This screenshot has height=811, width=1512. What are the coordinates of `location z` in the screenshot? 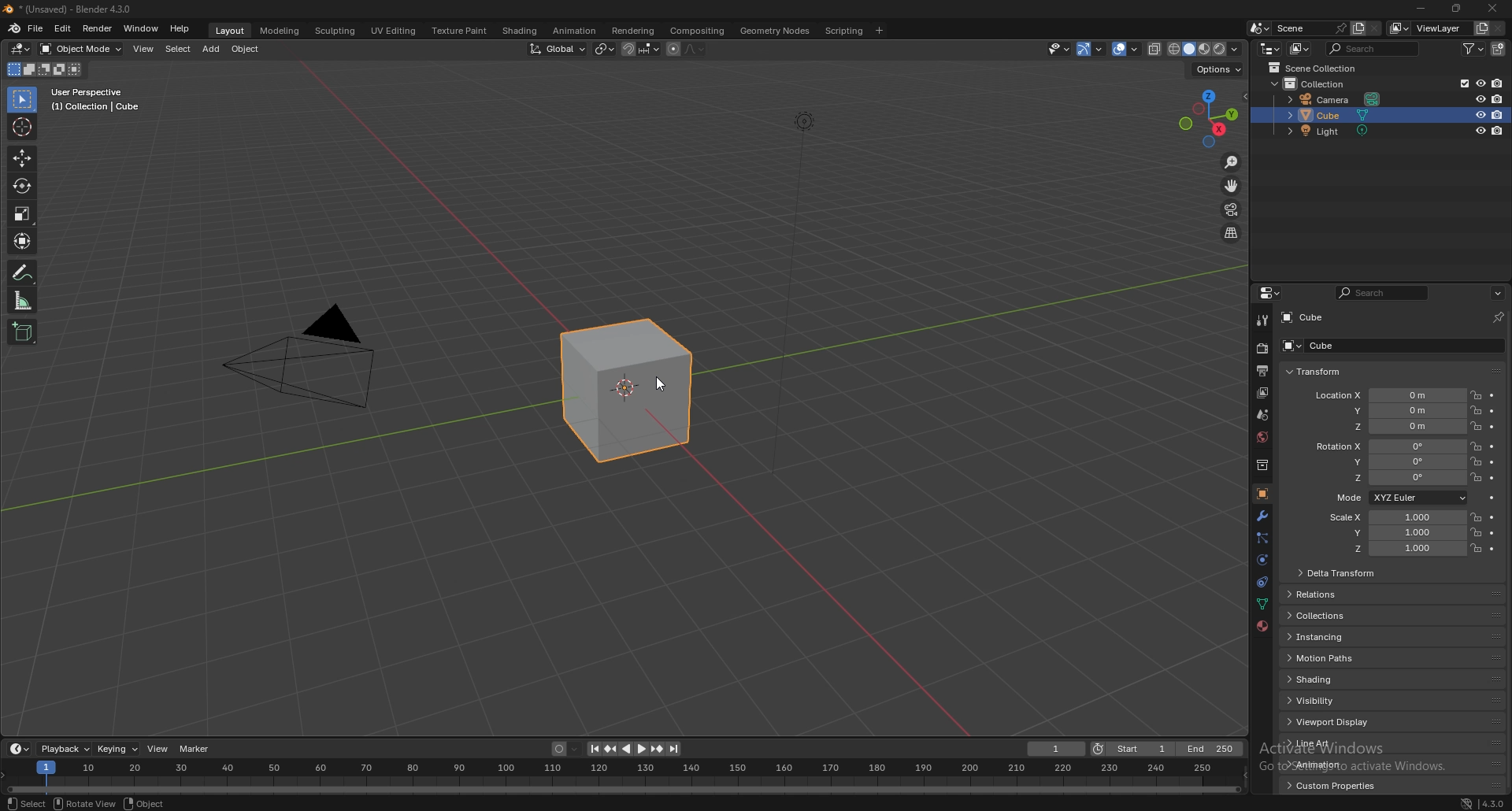 It's located at (1388, 426).